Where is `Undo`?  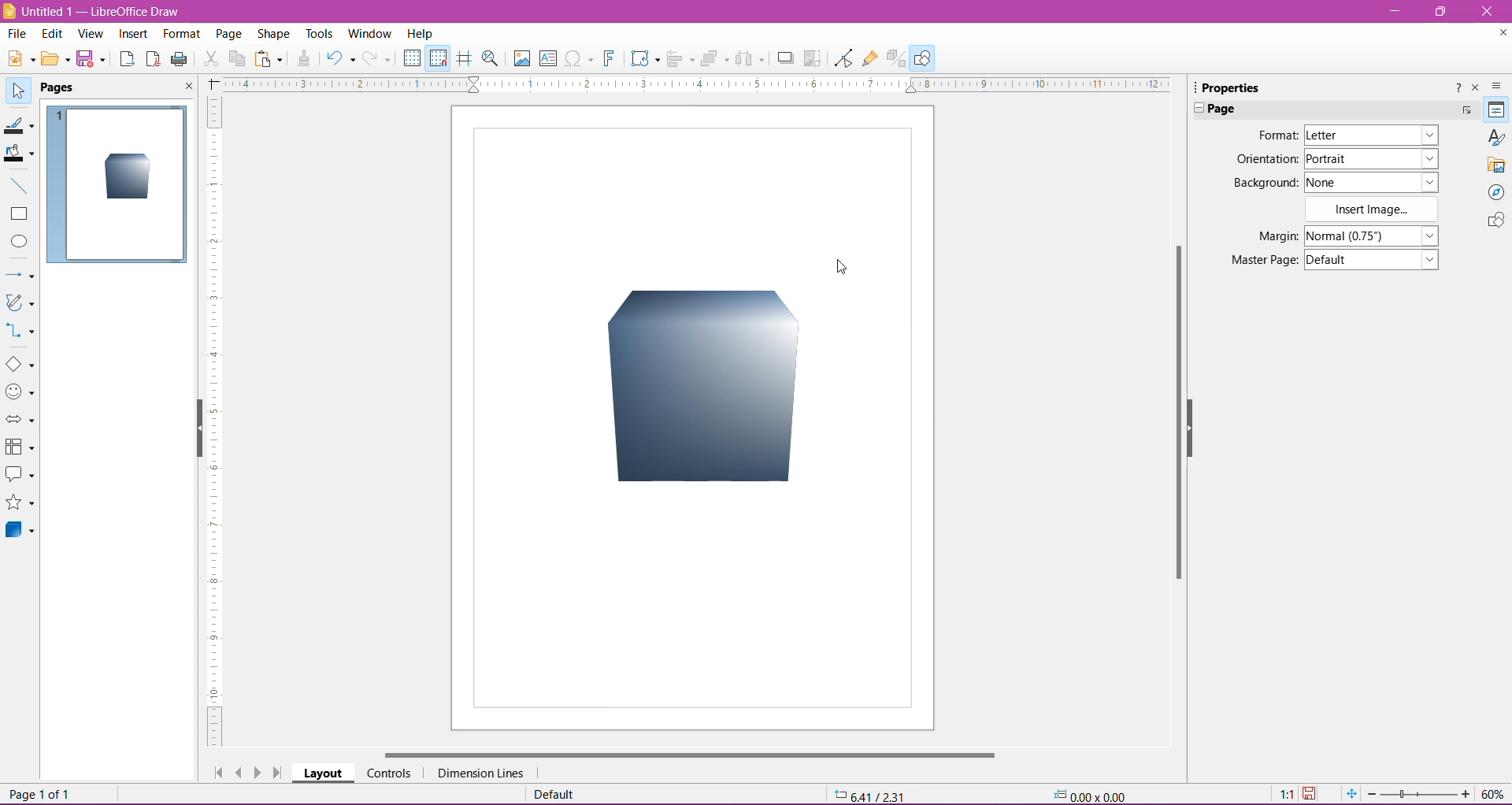 Undo is located at coordinates (340, 60).